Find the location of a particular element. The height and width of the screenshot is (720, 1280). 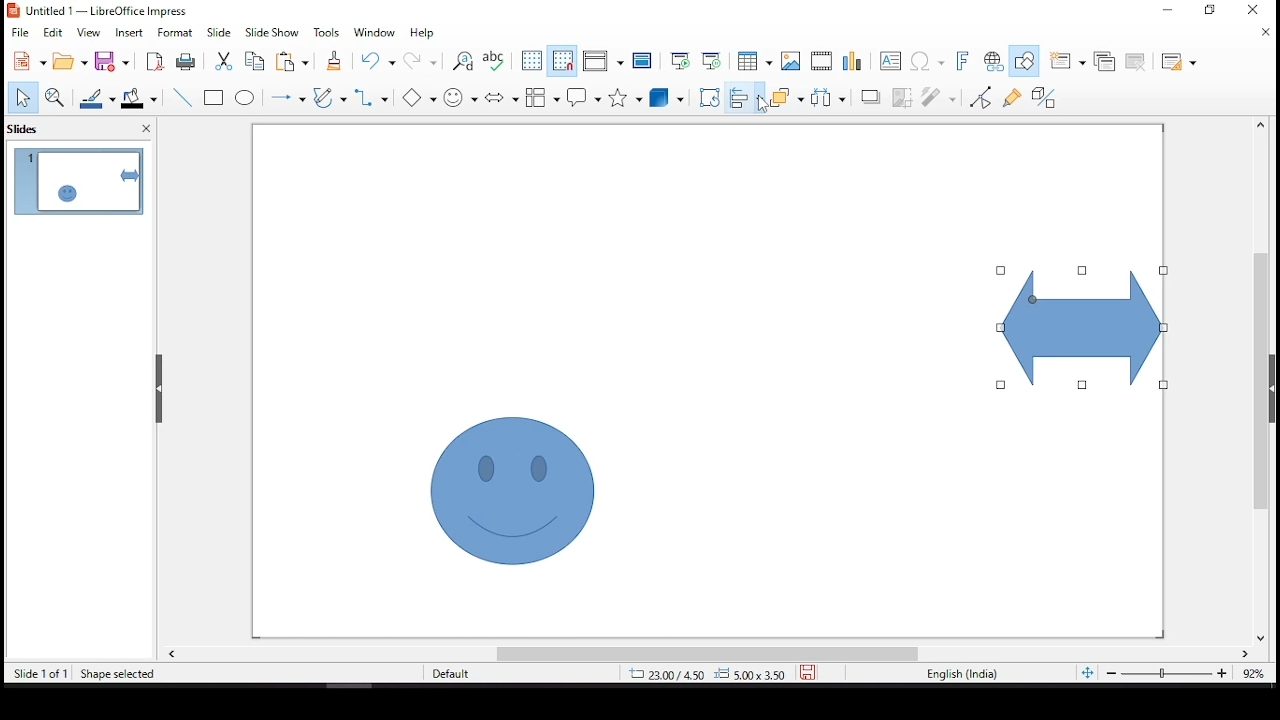

insert special characters is located at coordinates (929, 62).